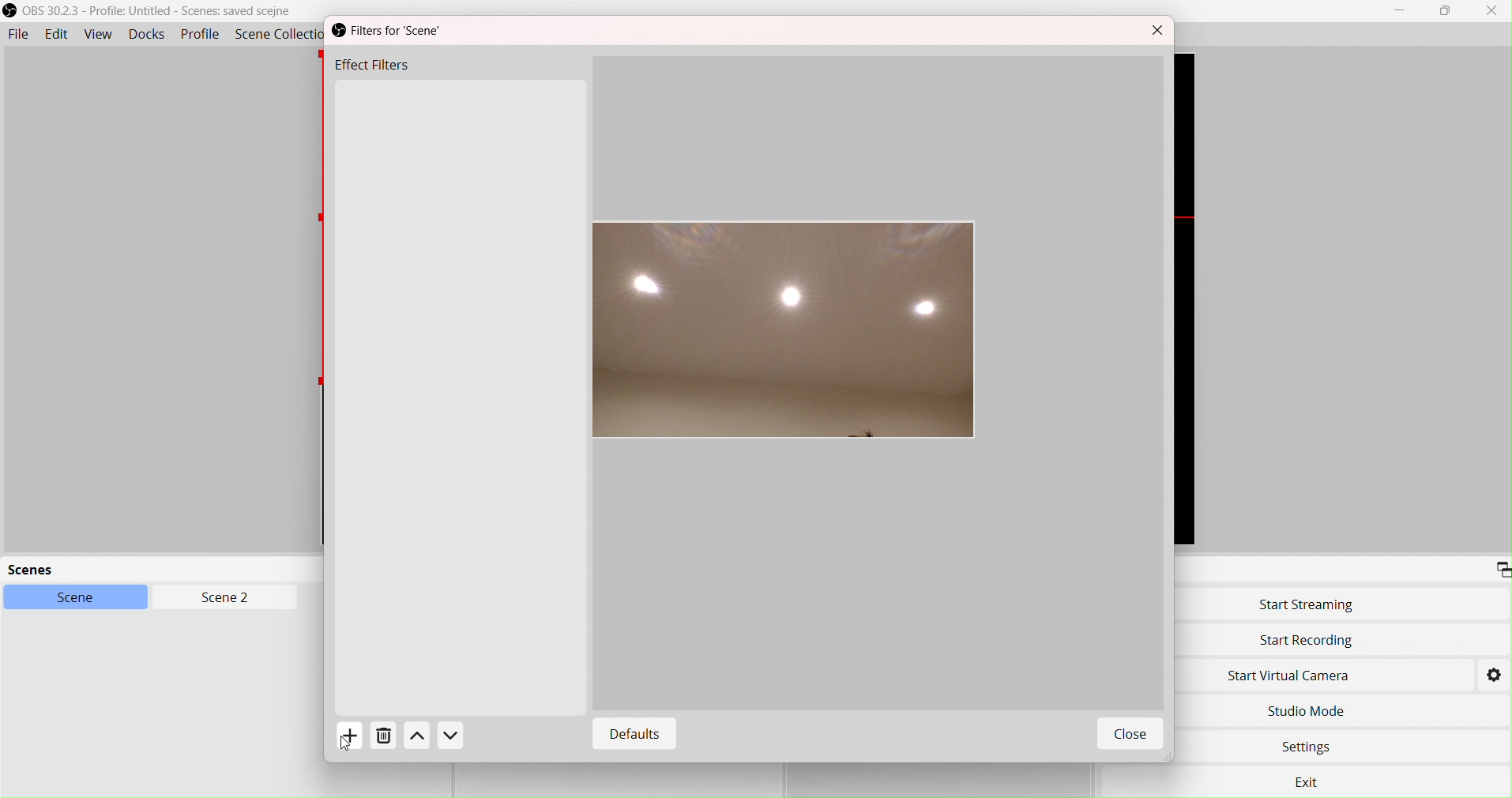  I want to click on Image, so click(780, 330).